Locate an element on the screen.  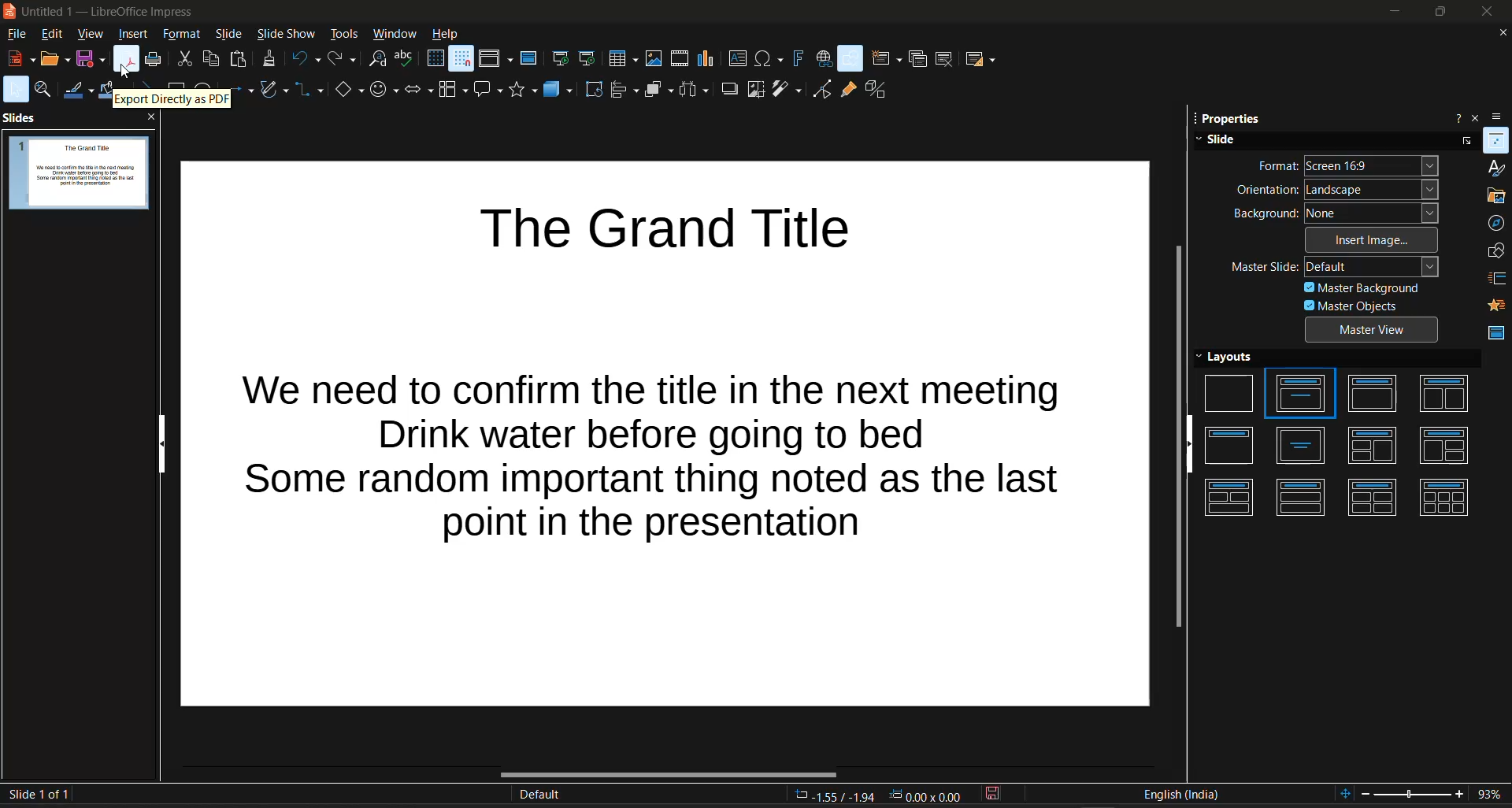
find and replace is located at coordinates (378, 58).